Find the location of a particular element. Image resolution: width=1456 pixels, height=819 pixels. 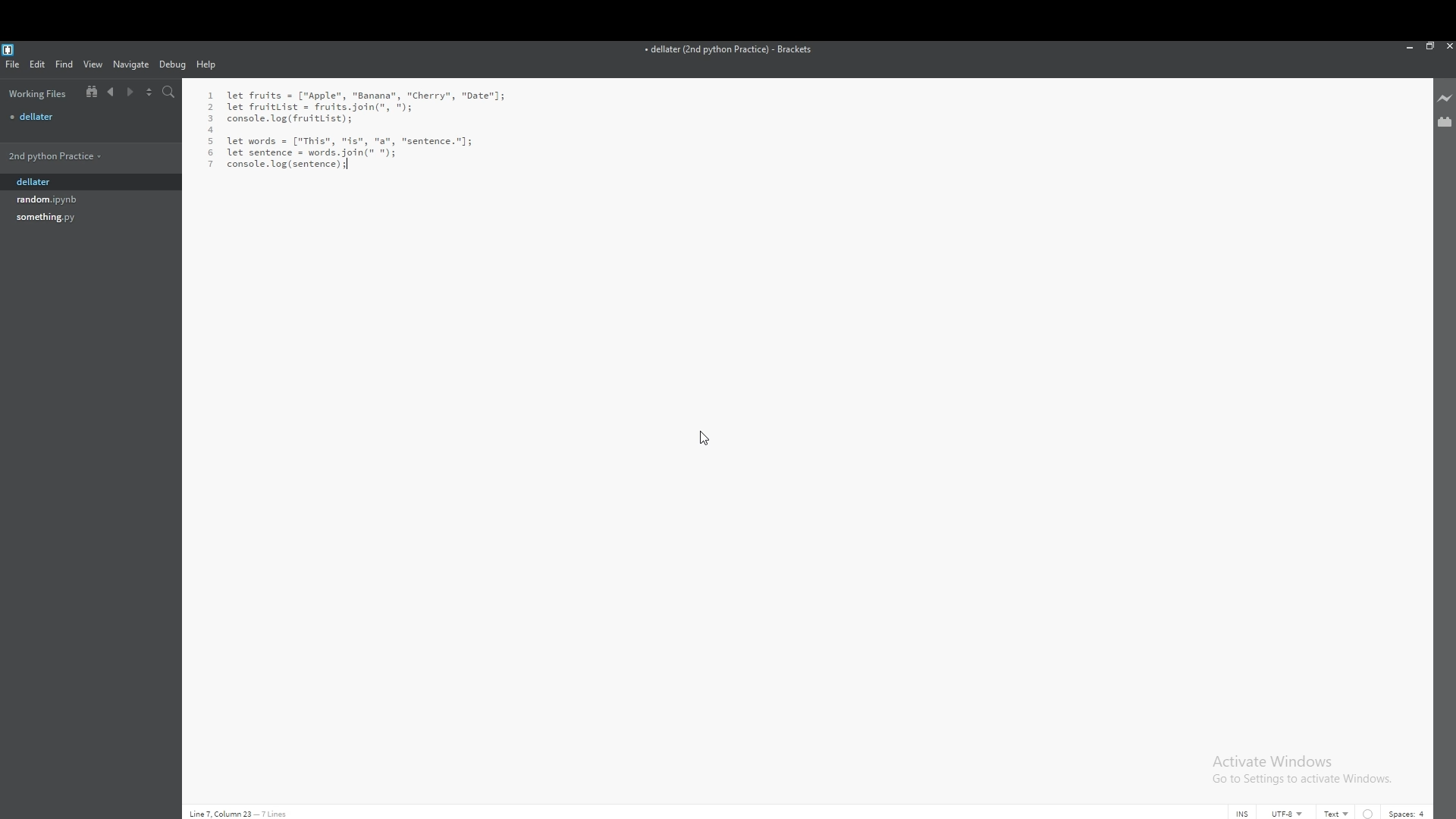

encoding is located at coordinates (1287, 813).